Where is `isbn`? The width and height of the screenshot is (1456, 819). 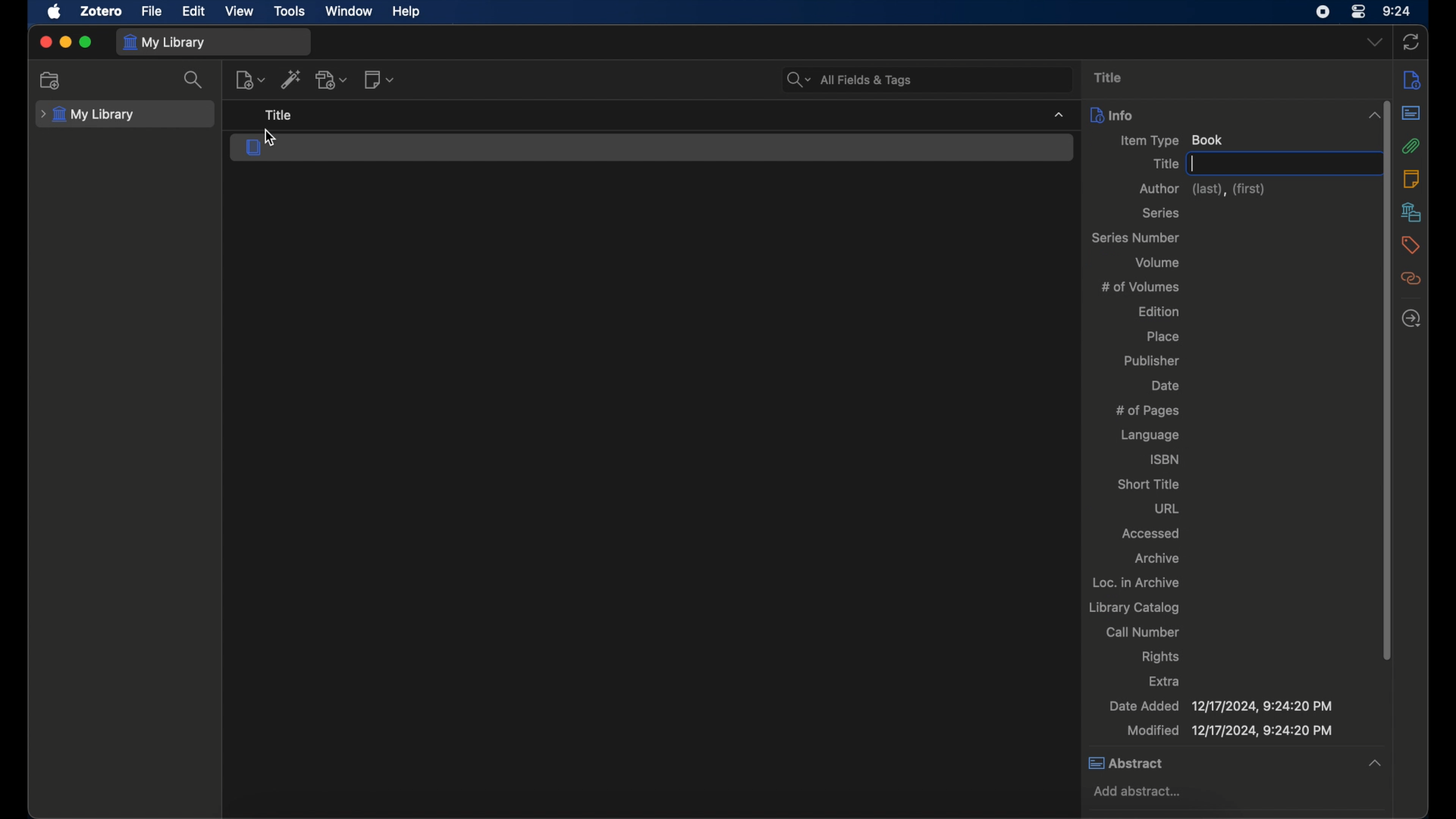 isbn is located at coordinates (1164, 460).